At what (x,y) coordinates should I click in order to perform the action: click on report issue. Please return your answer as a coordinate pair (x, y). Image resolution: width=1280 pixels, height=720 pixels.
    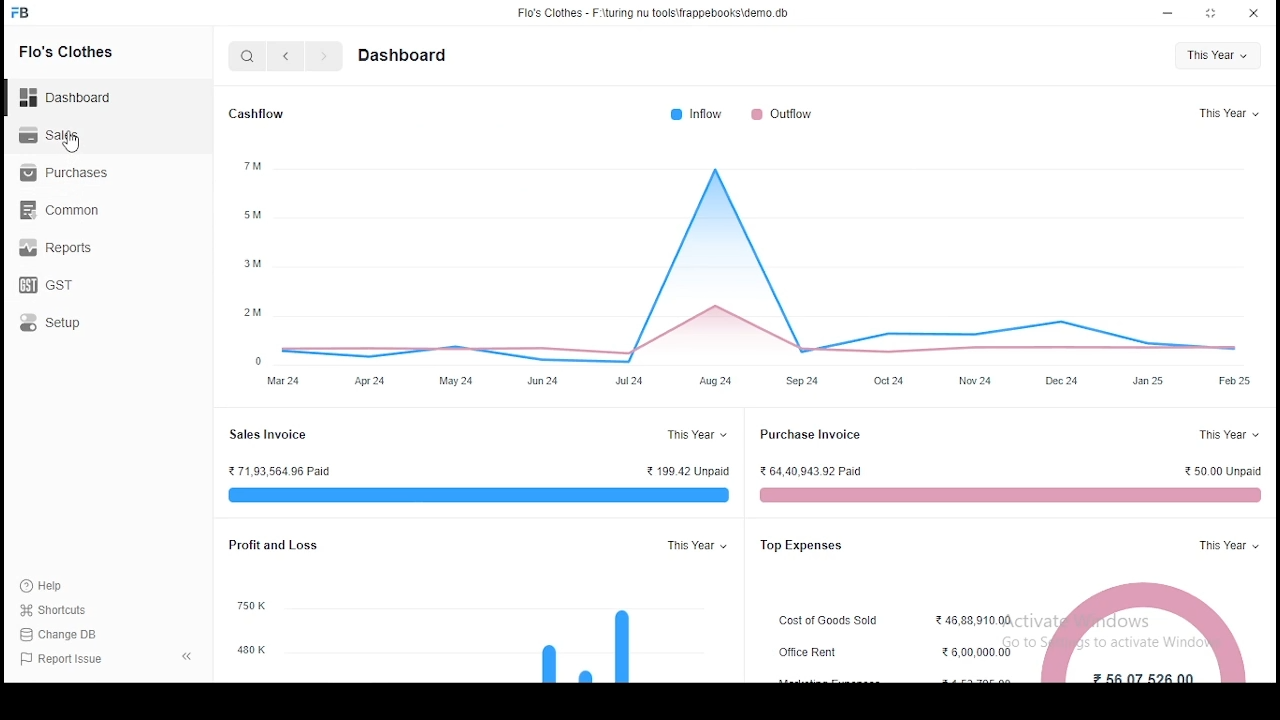
    Looking at the image, I should click on (59, 660).